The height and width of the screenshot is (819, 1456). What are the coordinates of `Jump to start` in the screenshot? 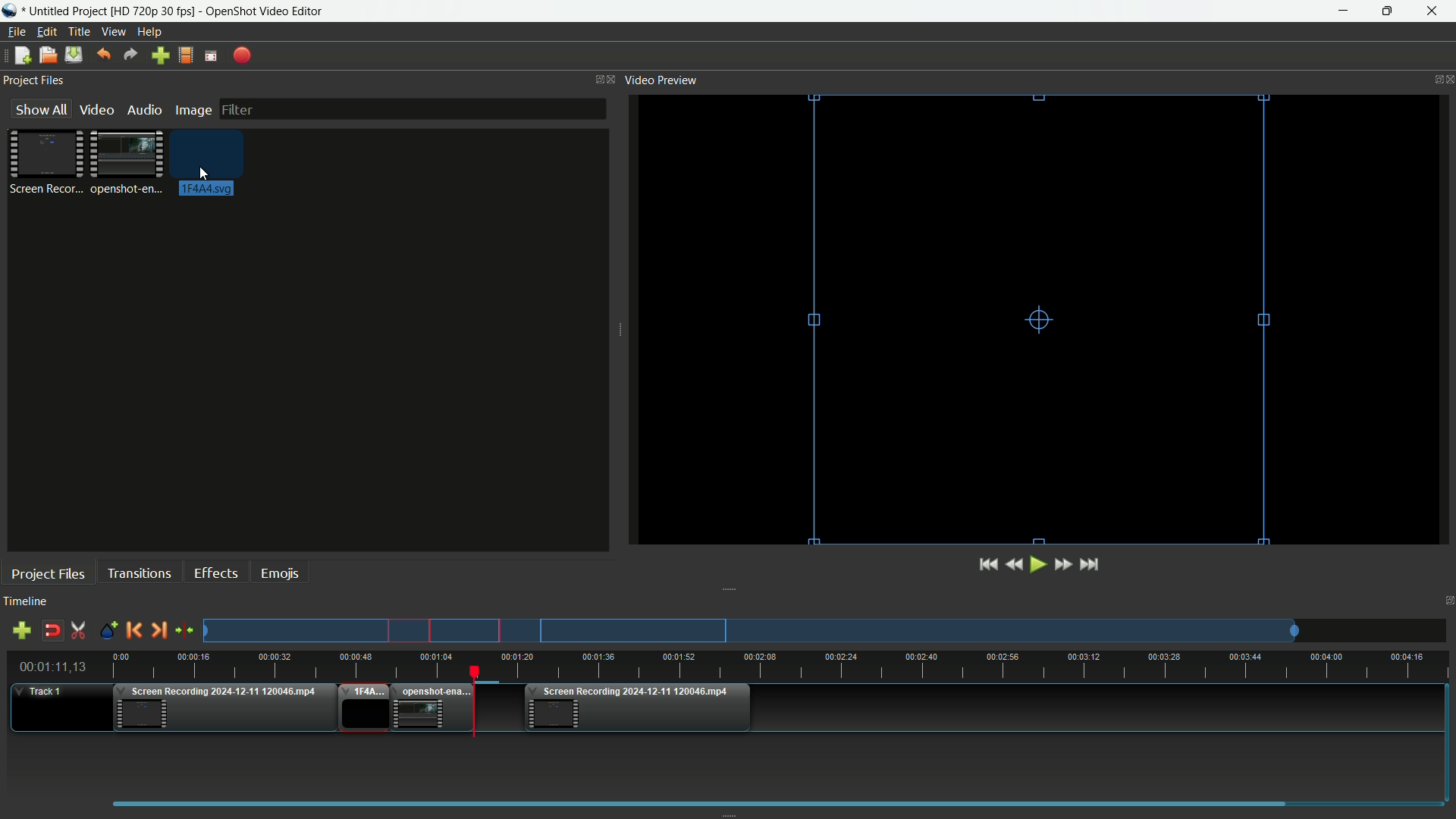 It's located at (986, 565).